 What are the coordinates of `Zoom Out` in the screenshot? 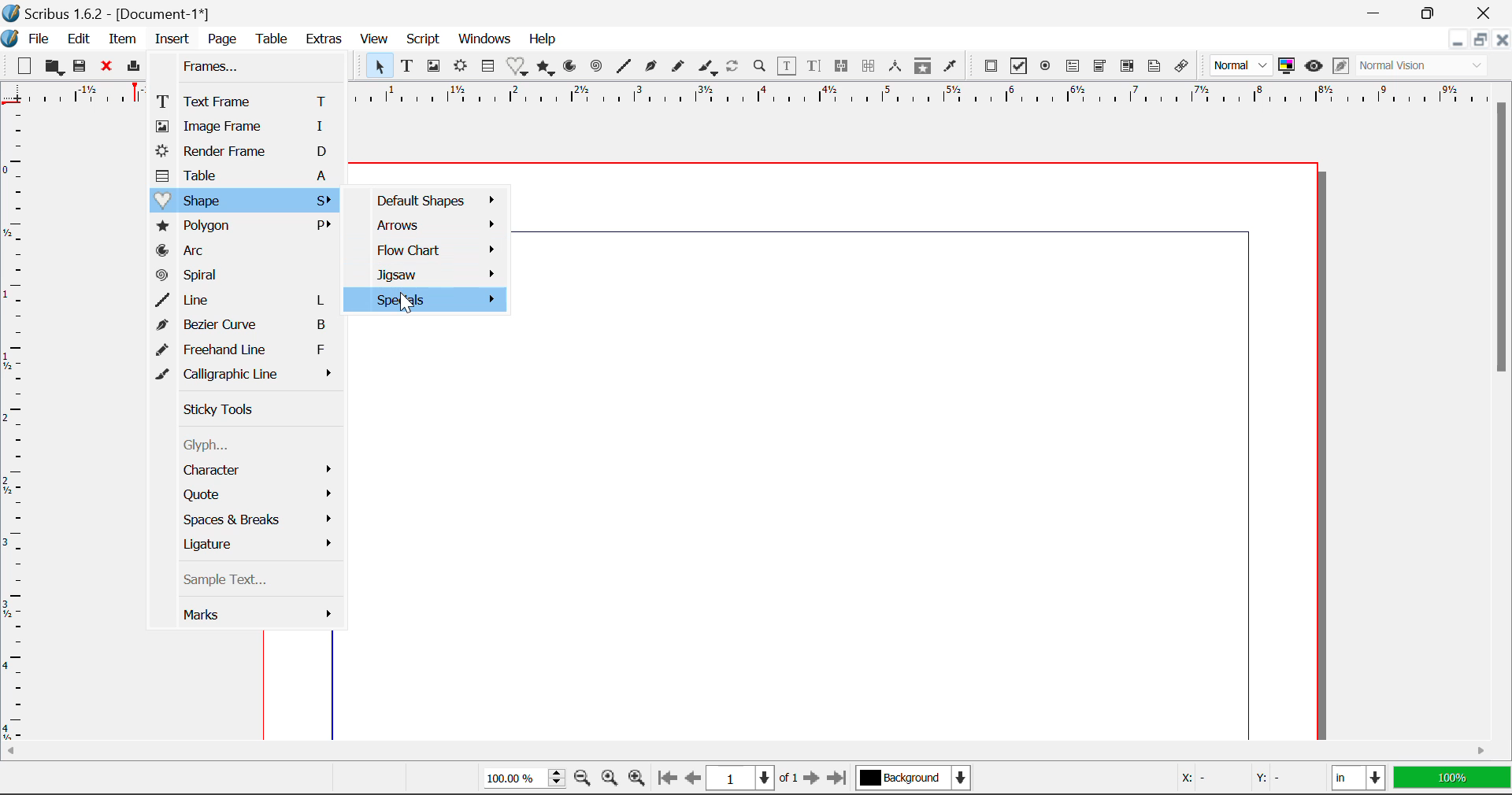 It's located at (583, 779).